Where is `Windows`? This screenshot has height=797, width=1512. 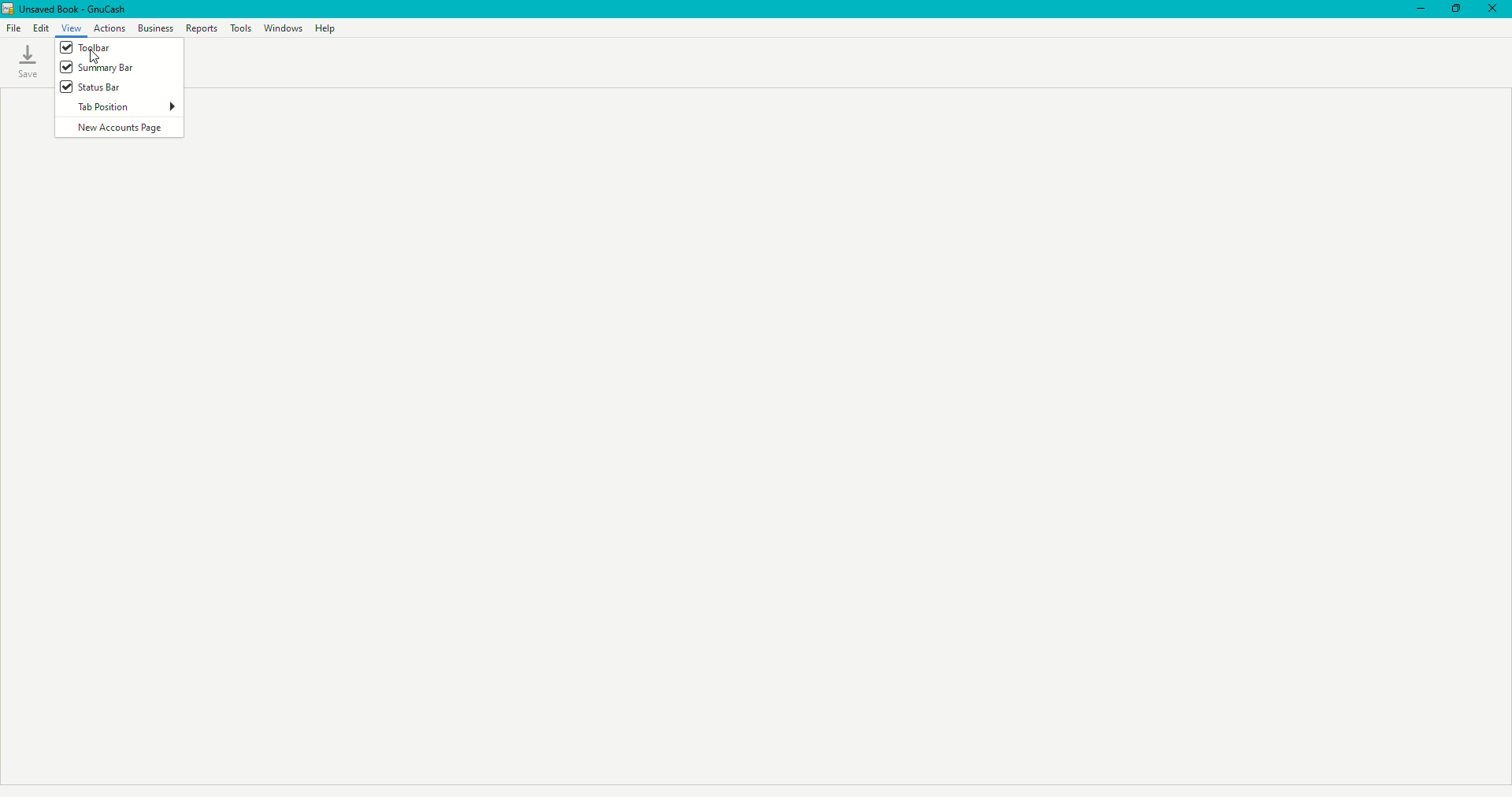 Windows is located at coordinates (283, 28).